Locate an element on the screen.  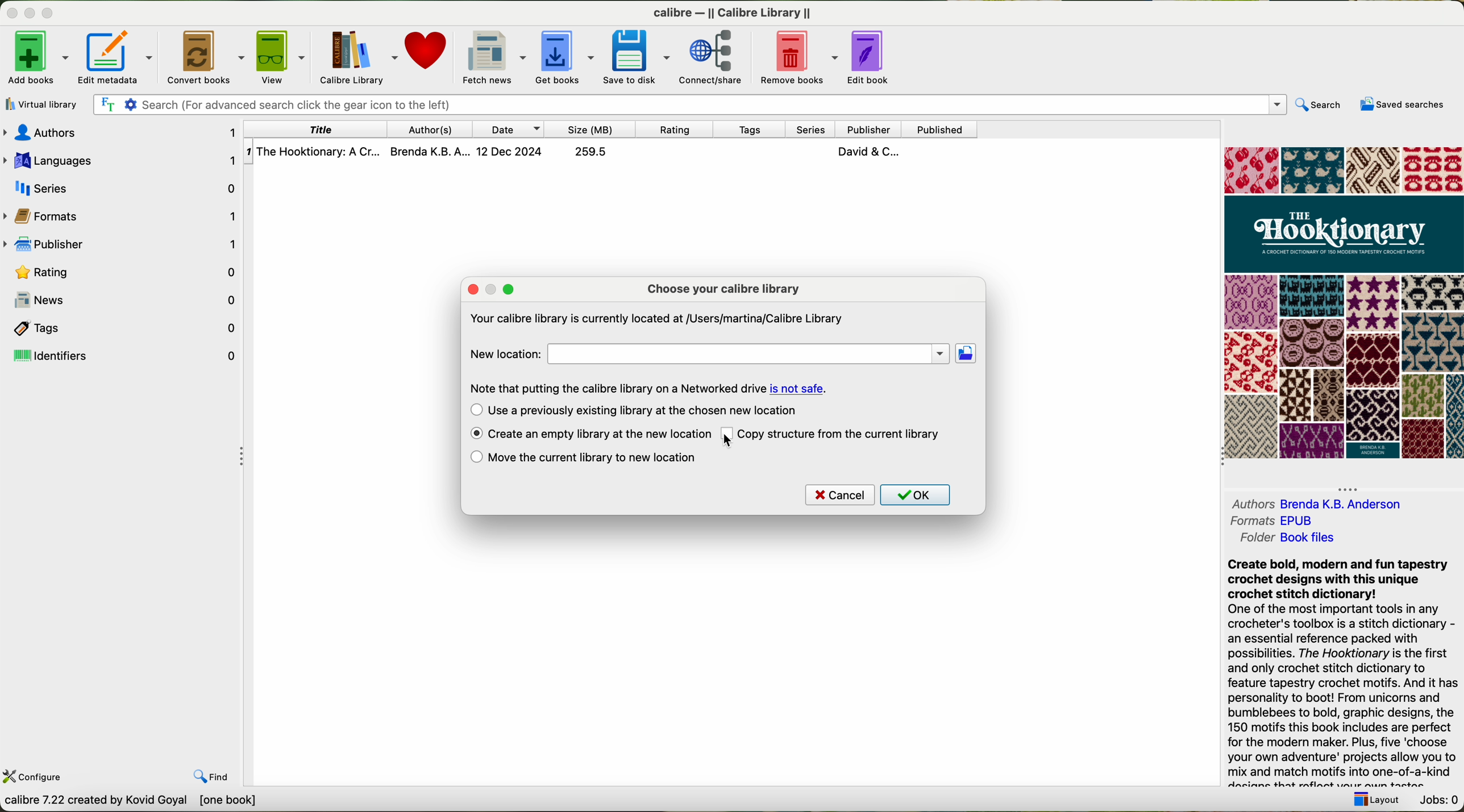
maximize popup is located at coordinates (510, 289).